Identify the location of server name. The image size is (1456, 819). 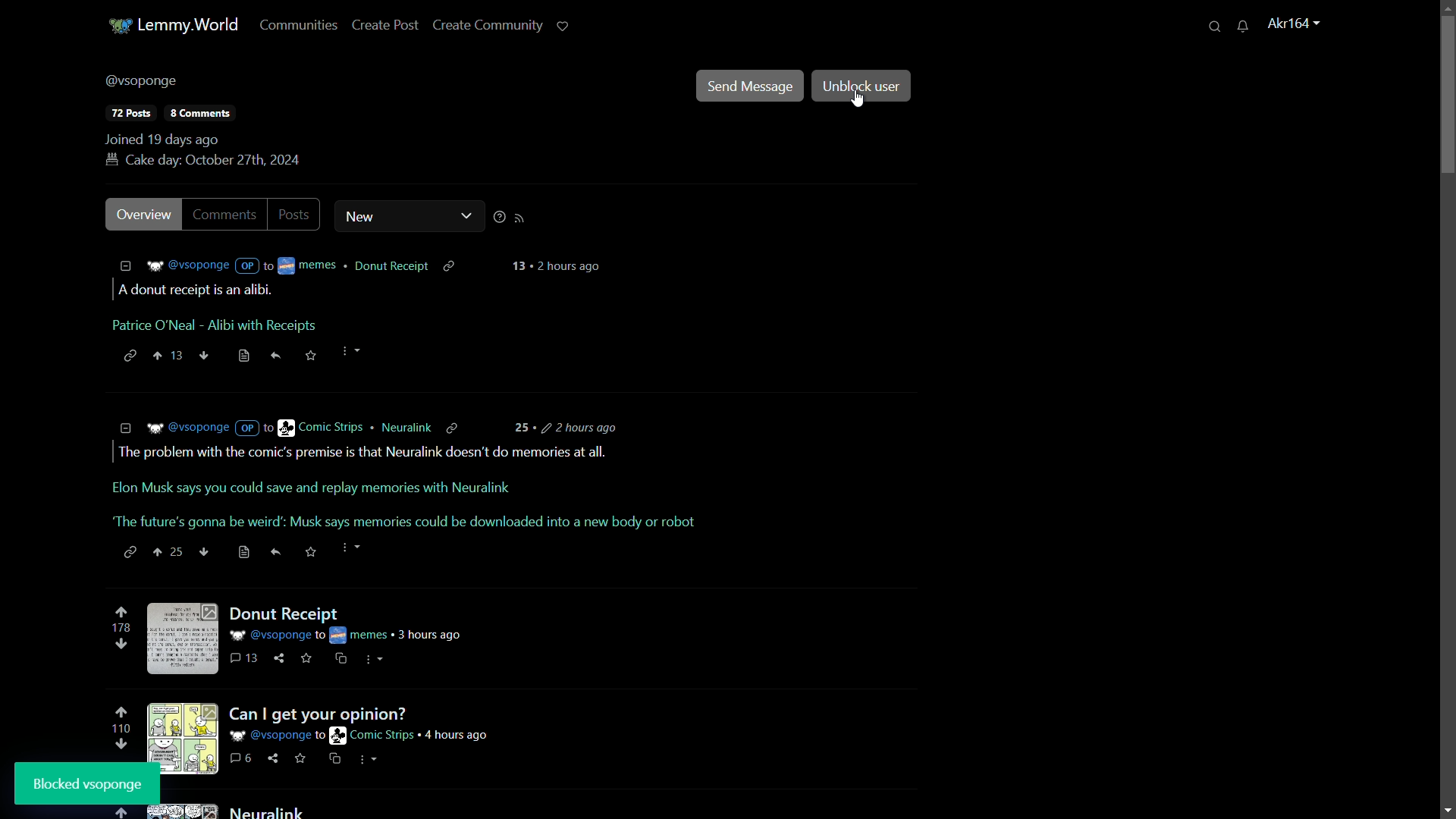
(188, 25).